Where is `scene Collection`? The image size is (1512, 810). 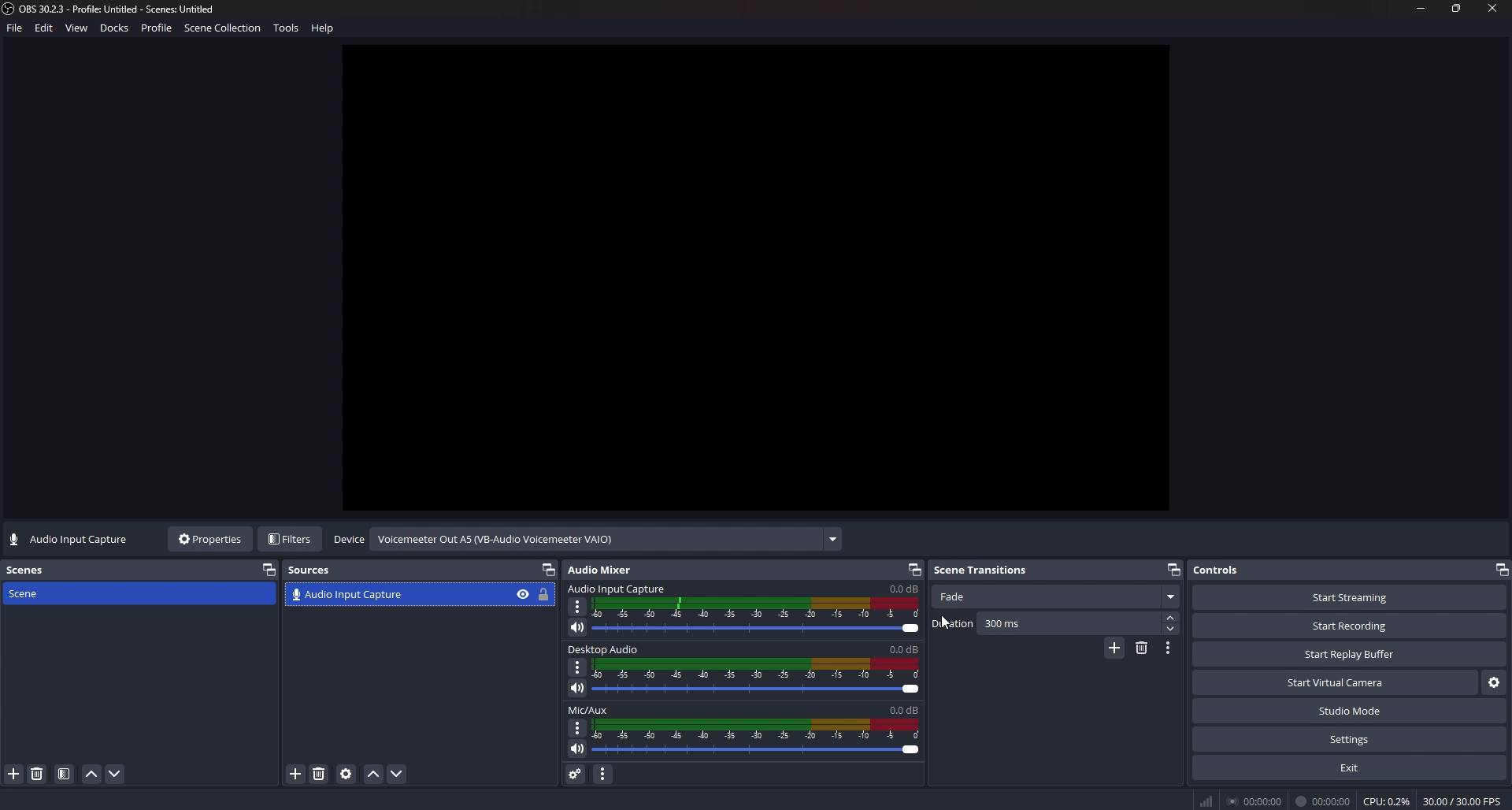 scene Collection is located at coordinates (224, 30).